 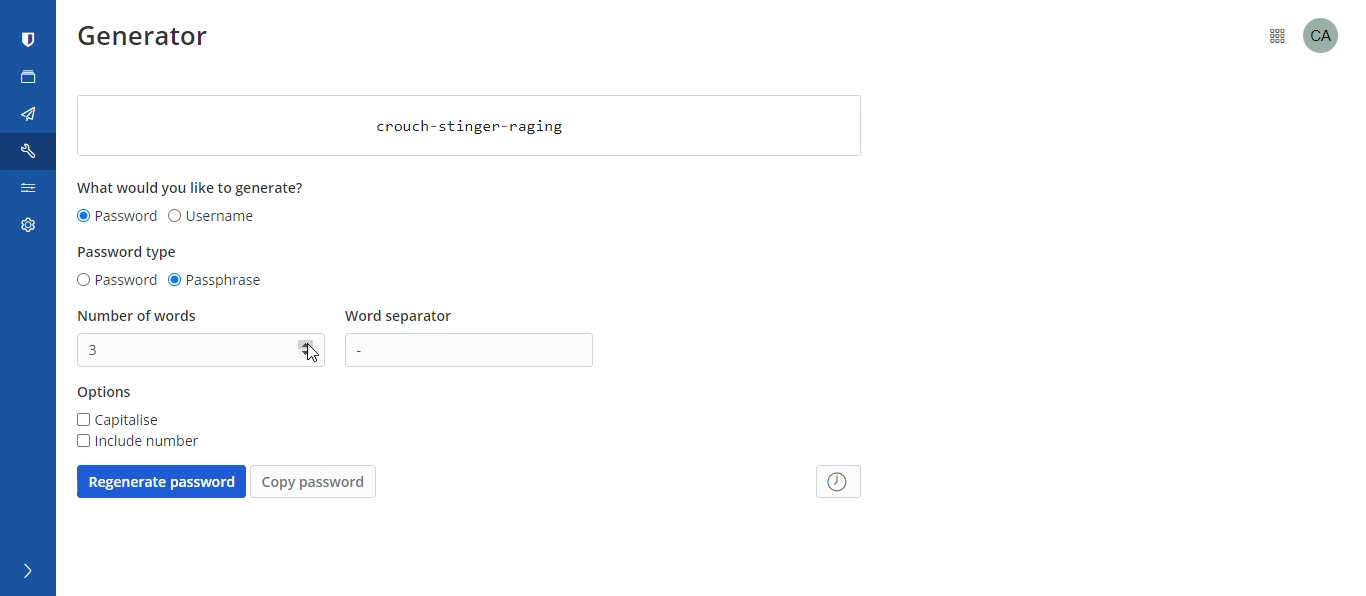 I want to click on crouch-stinger-raging, so click(x=471, y=126).